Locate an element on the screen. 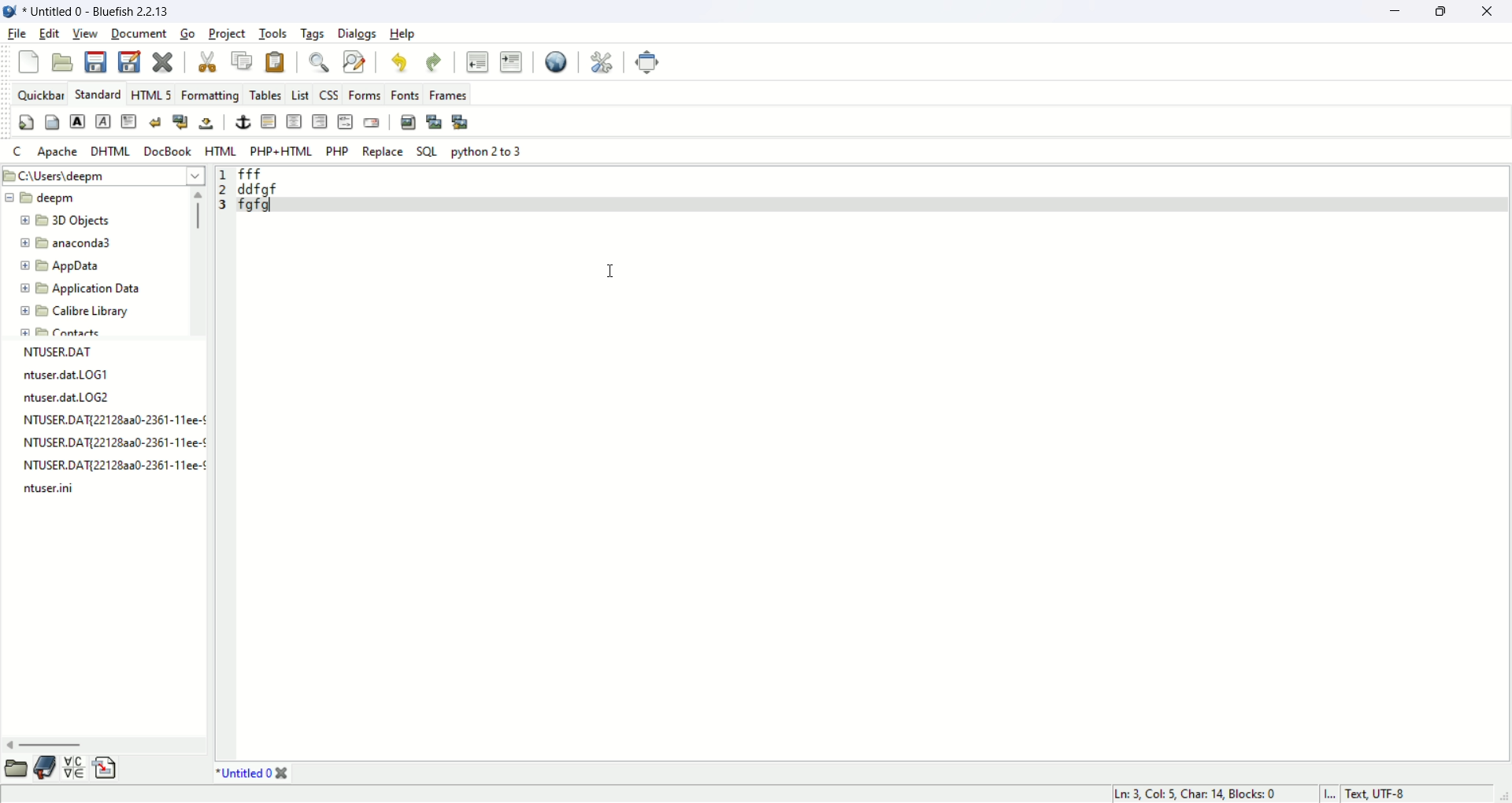 Image resolution: width=1512 pixels, height=803 pixels. file name is located at coordinates (106, 420).